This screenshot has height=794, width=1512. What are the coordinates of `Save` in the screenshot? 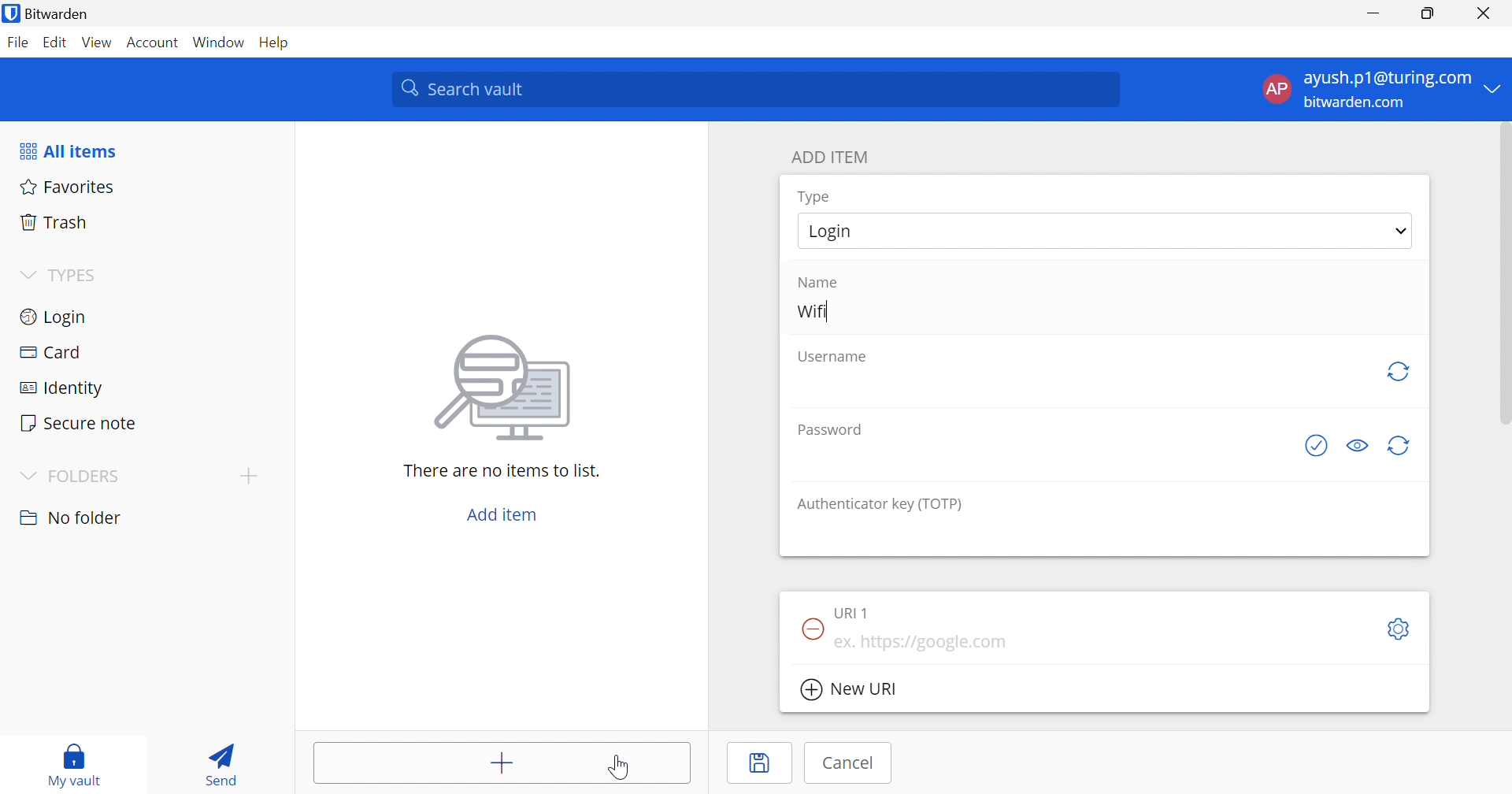 It's located at (762, 763).